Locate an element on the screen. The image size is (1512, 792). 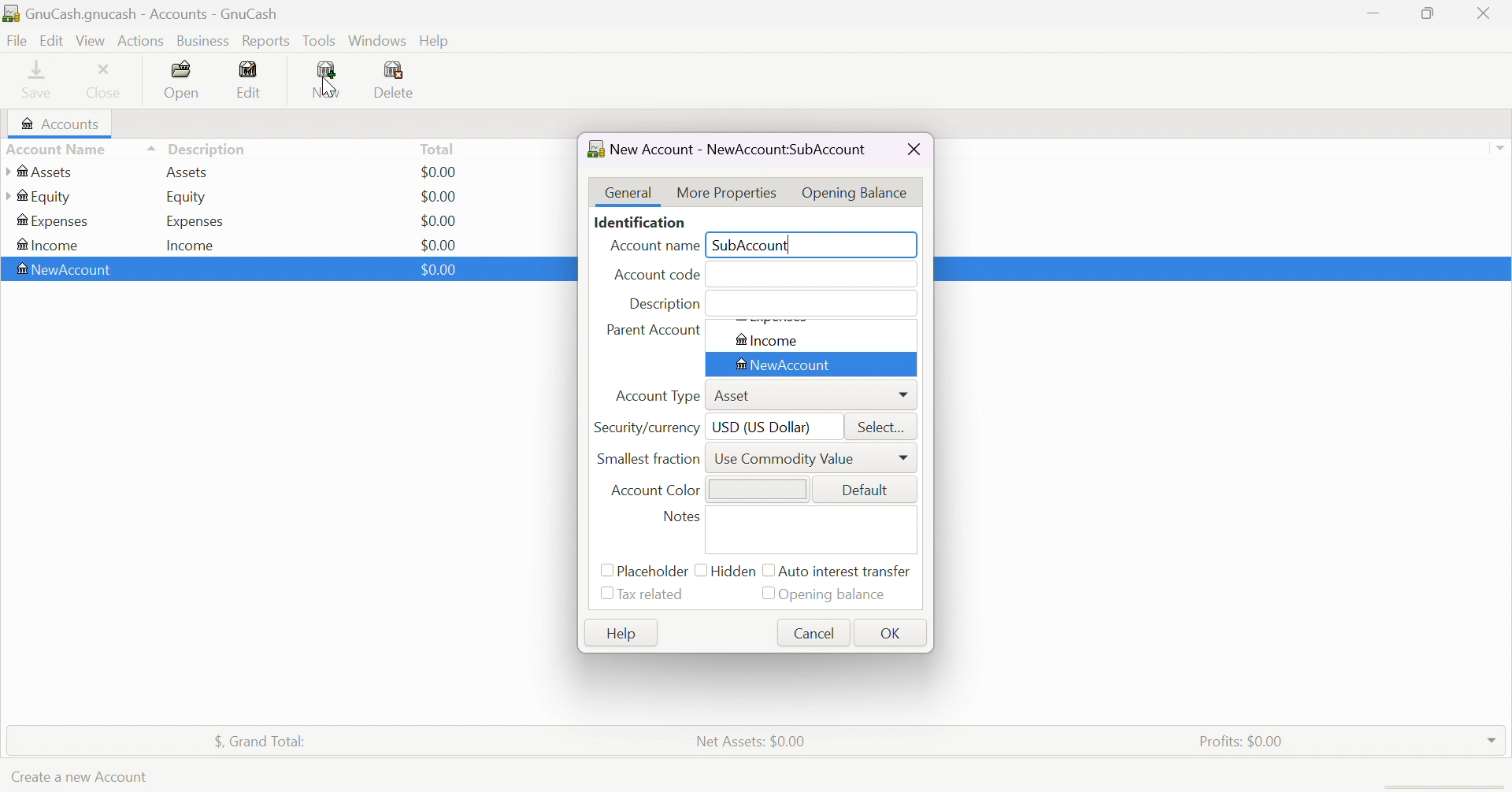
Create a new Account is located at coordinates (80, 778).